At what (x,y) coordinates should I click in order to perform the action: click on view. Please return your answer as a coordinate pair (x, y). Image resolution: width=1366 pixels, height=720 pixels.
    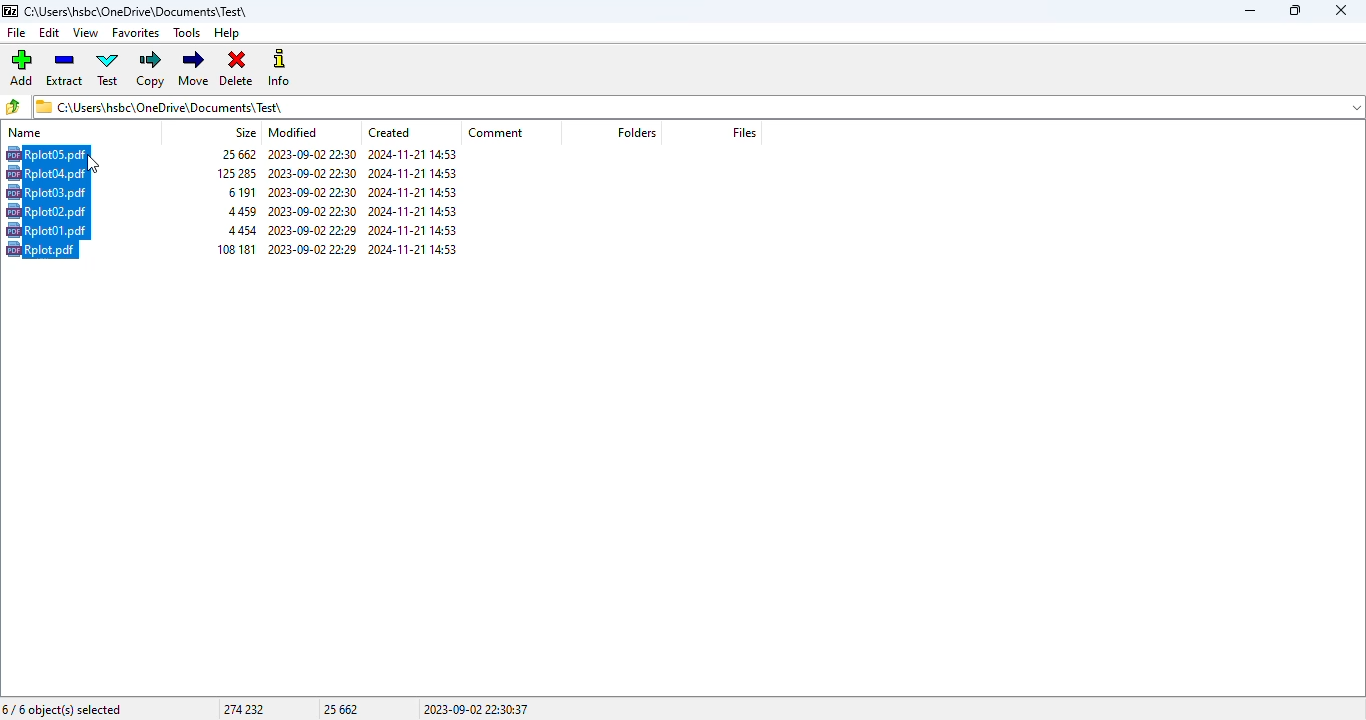
    Looking at the image, I should click on (86, 32).